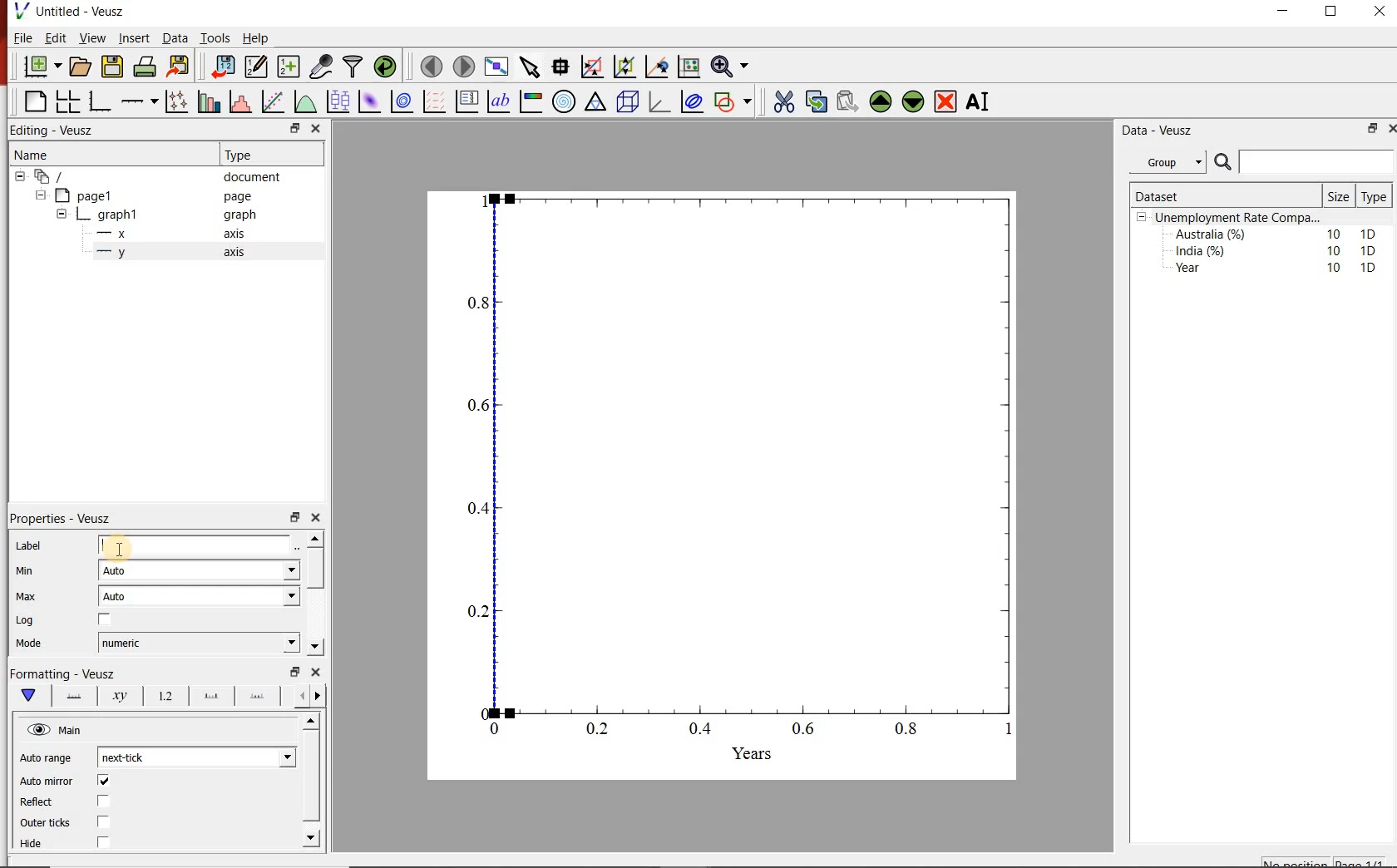 The width and height of the screenshot is (1397, 868). I want to click on main, so click(32, 696).